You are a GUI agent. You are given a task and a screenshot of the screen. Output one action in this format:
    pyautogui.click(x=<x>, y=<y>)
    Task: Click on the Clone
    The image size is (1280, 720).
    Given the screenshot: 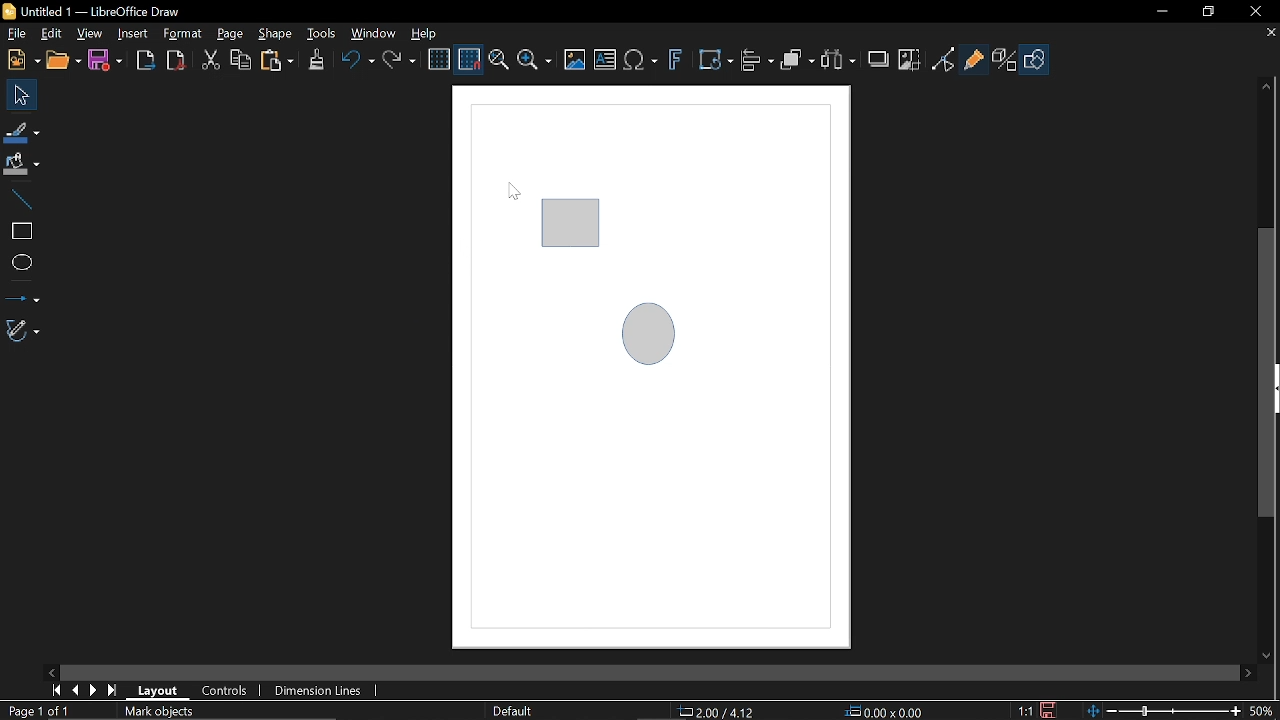 What is the action you would take?
    pyautogui.click(x=318, y=61)
    